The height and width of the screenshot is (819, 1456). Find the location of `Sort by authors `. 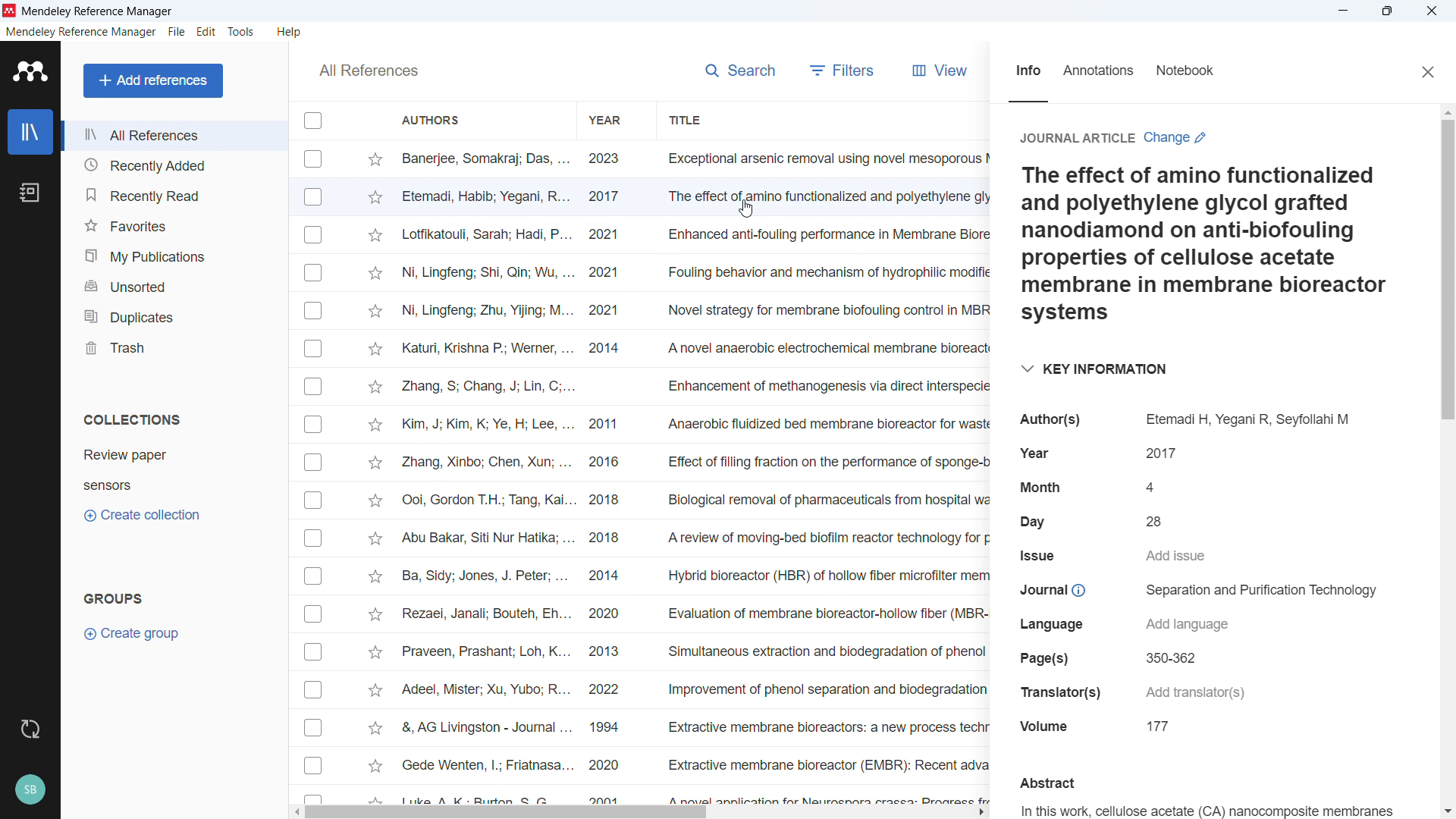

Sort by authors  is located at coordinates (431, 120).